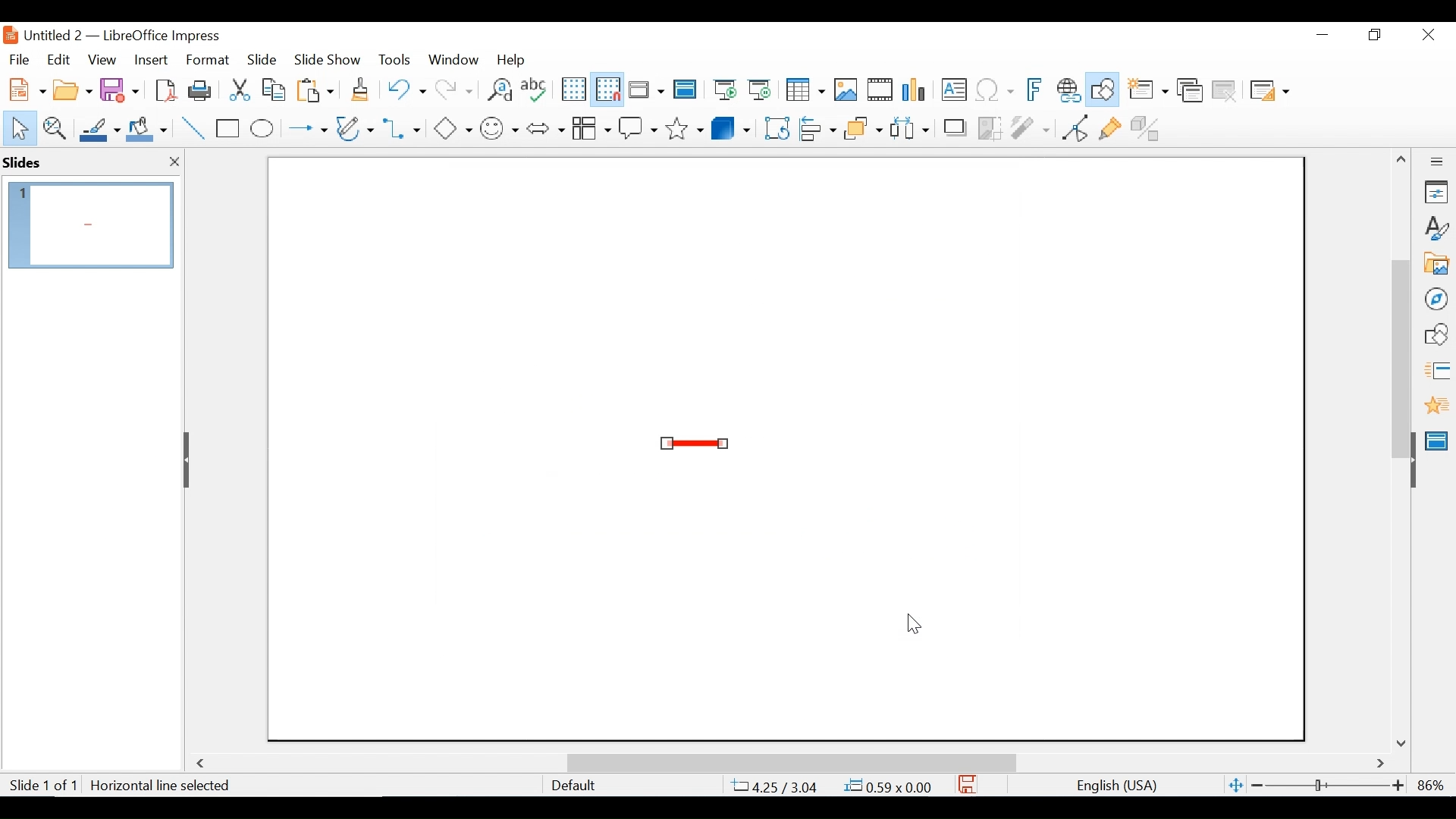  Describe the element at coordinates (1036, 90) in the screenshot. I see `Insert Frontwork` at that location.